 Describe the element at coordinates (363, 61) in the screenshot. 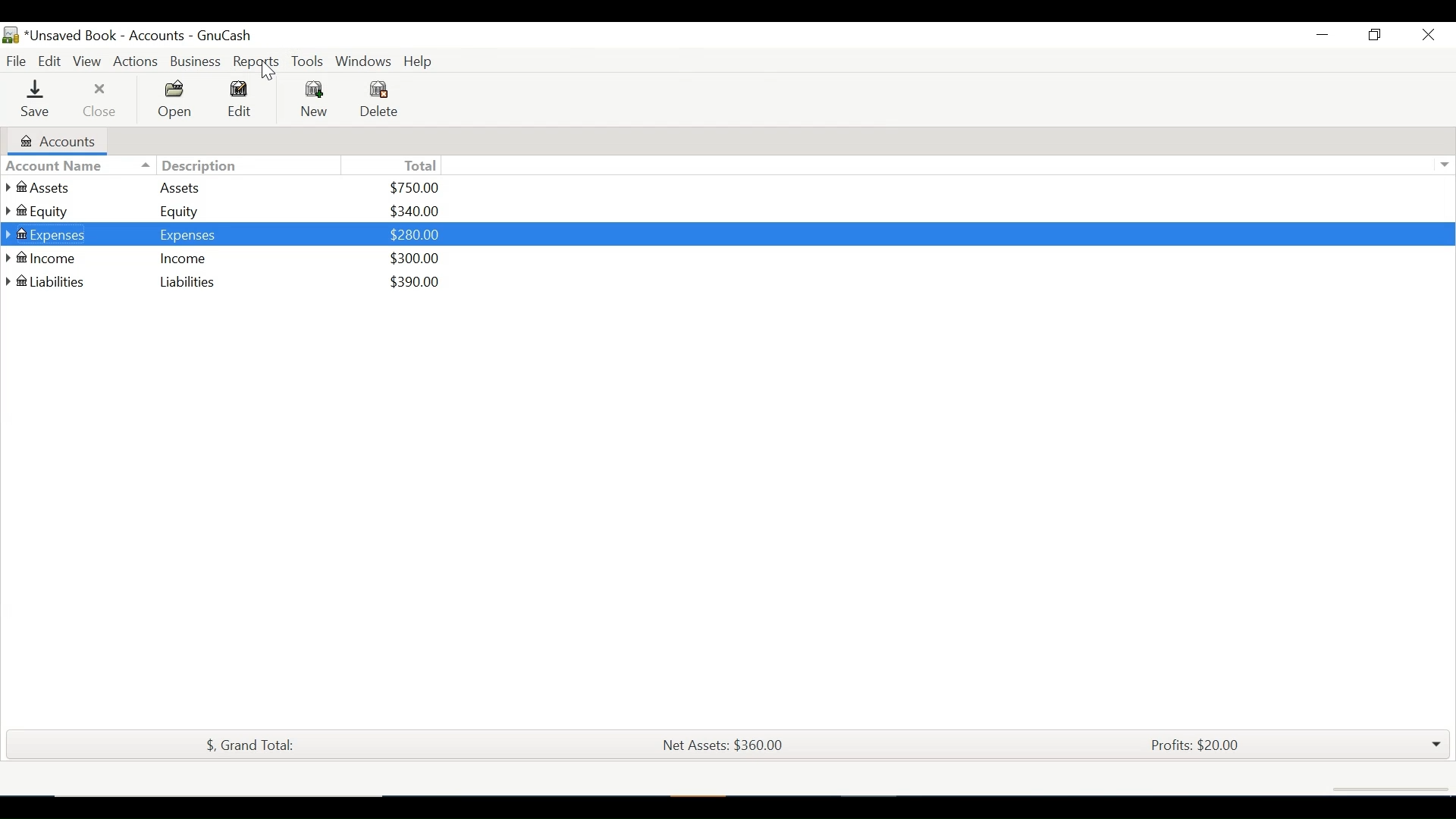

I see `Windows` at that location.